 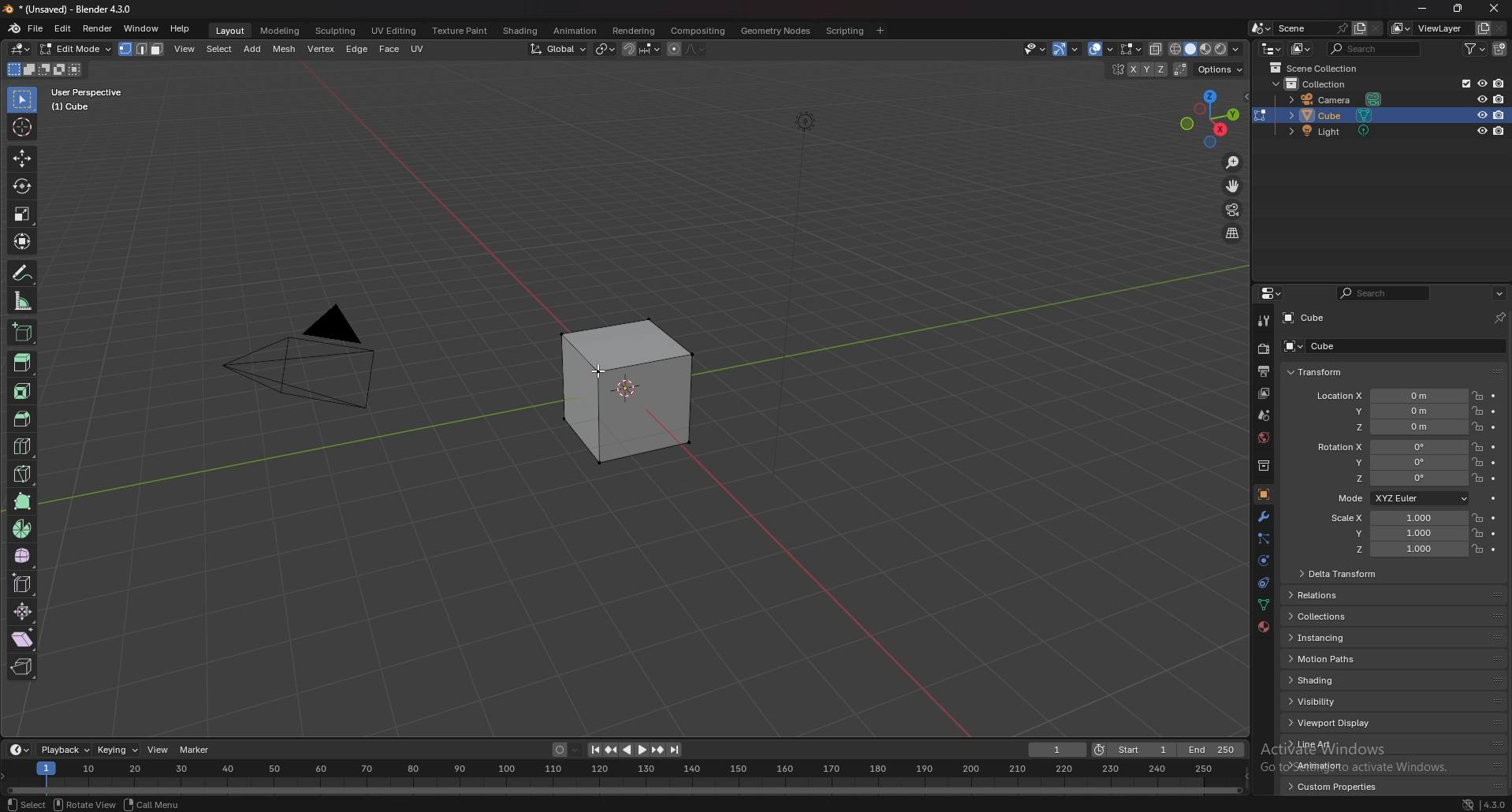 What do you see at coordinates (1264, 415) in the screenshot?
I see `scene` at bounding box center [1264, 415].